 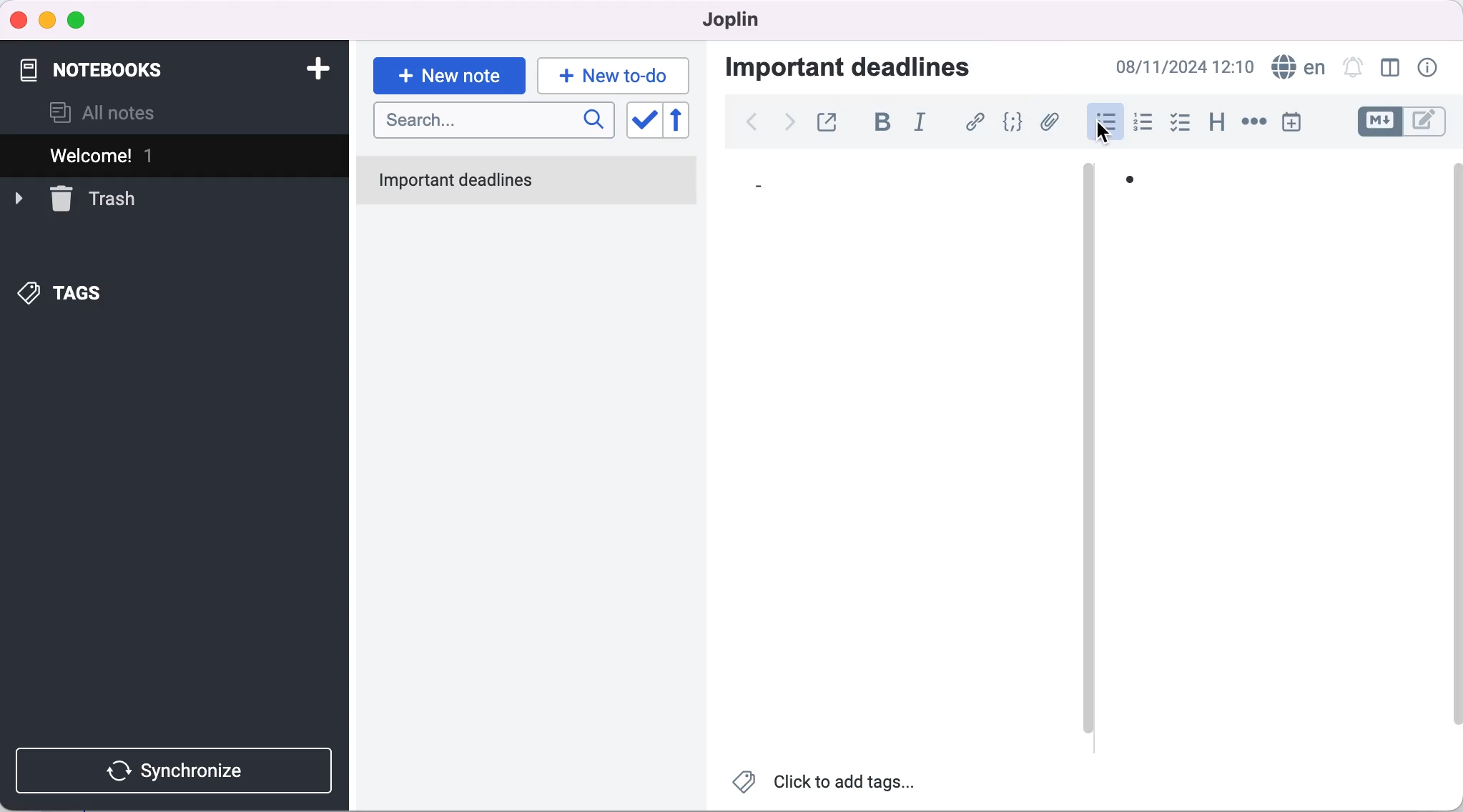 What do you see at coordinates (179, 770) in the screenshot?
I see `synchronize` at bounding box center [179, 770].